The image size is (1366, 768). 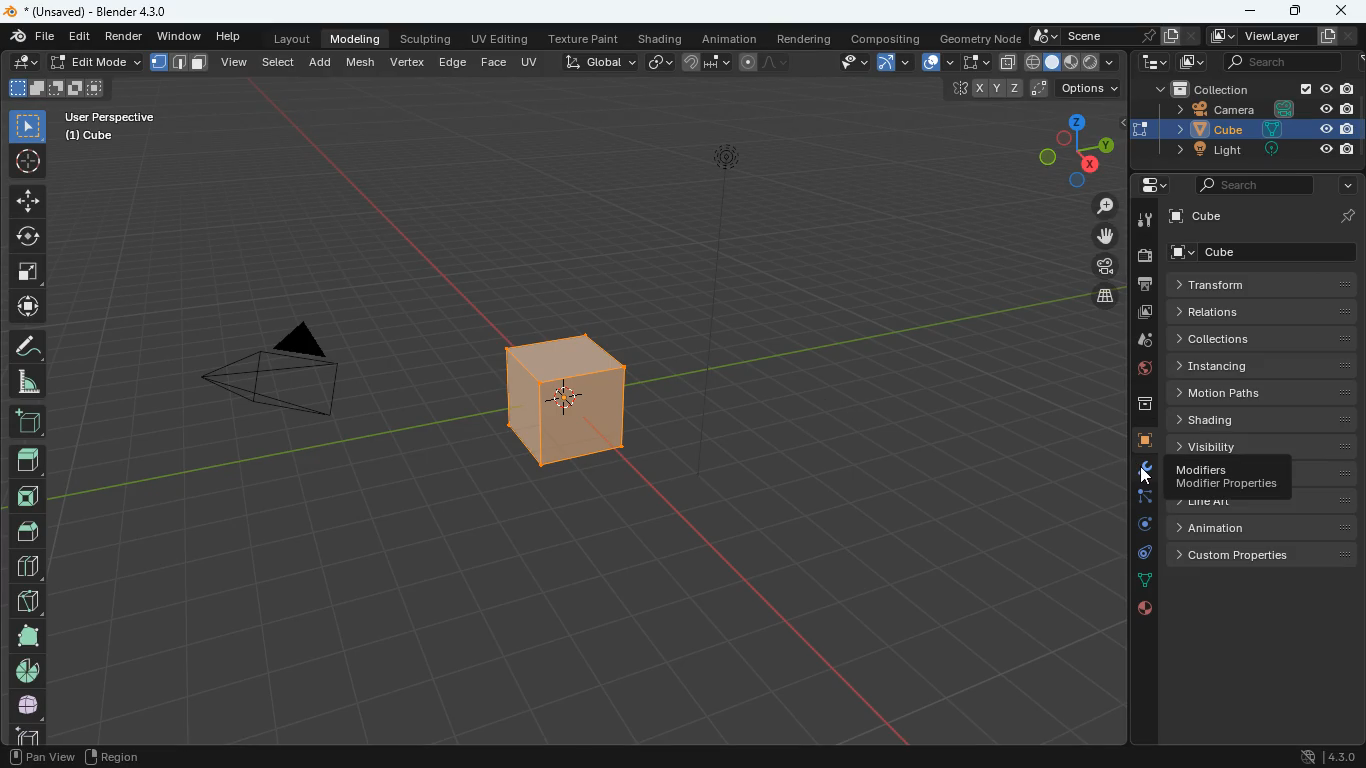 What do you see at coordinates (28, 124) in the screenshot?
I see `select` at bounding box center [28, 124].